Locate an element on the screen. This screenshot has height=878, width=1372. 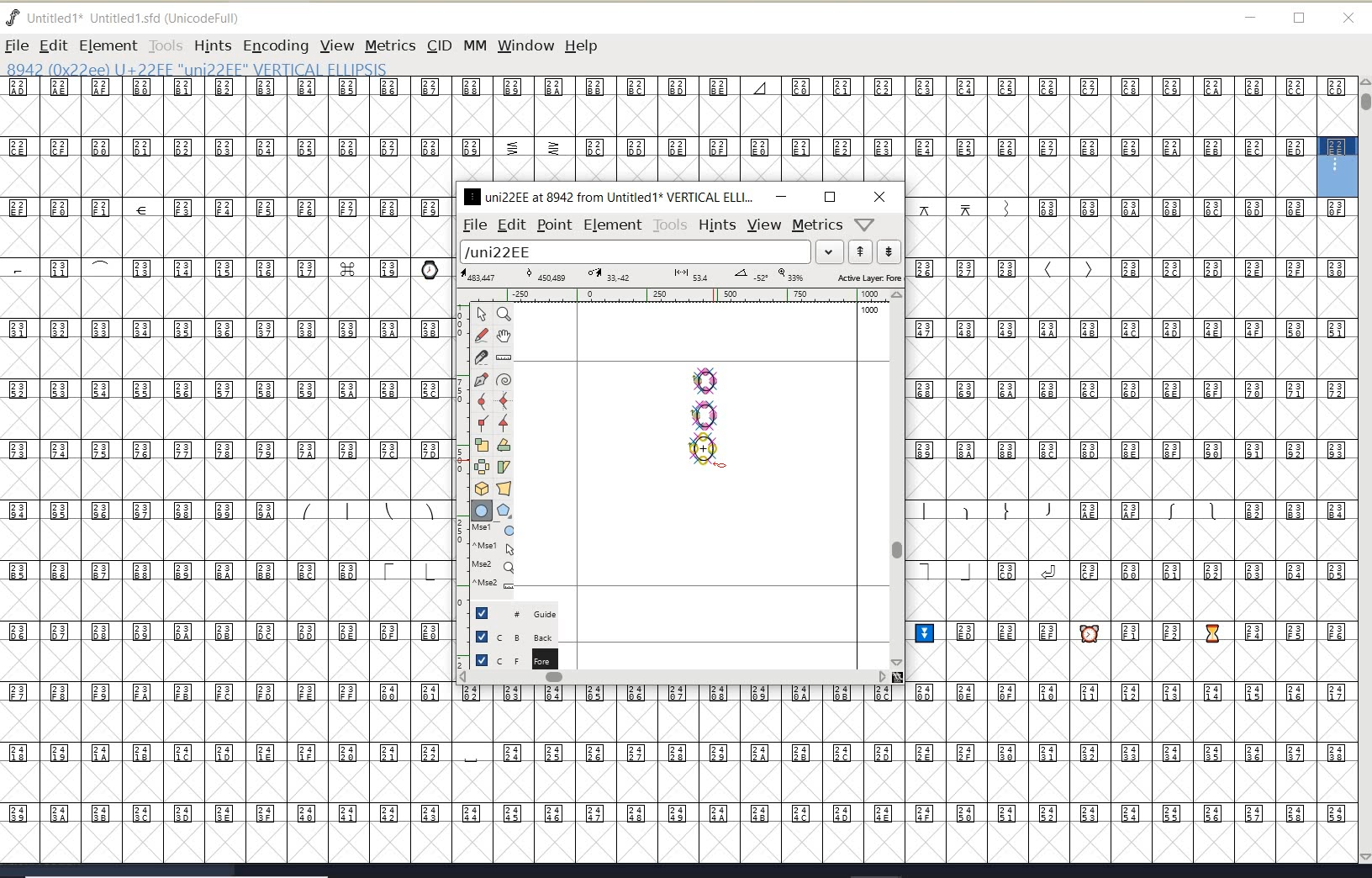
TOOLS is located at coordinates (165, 45).